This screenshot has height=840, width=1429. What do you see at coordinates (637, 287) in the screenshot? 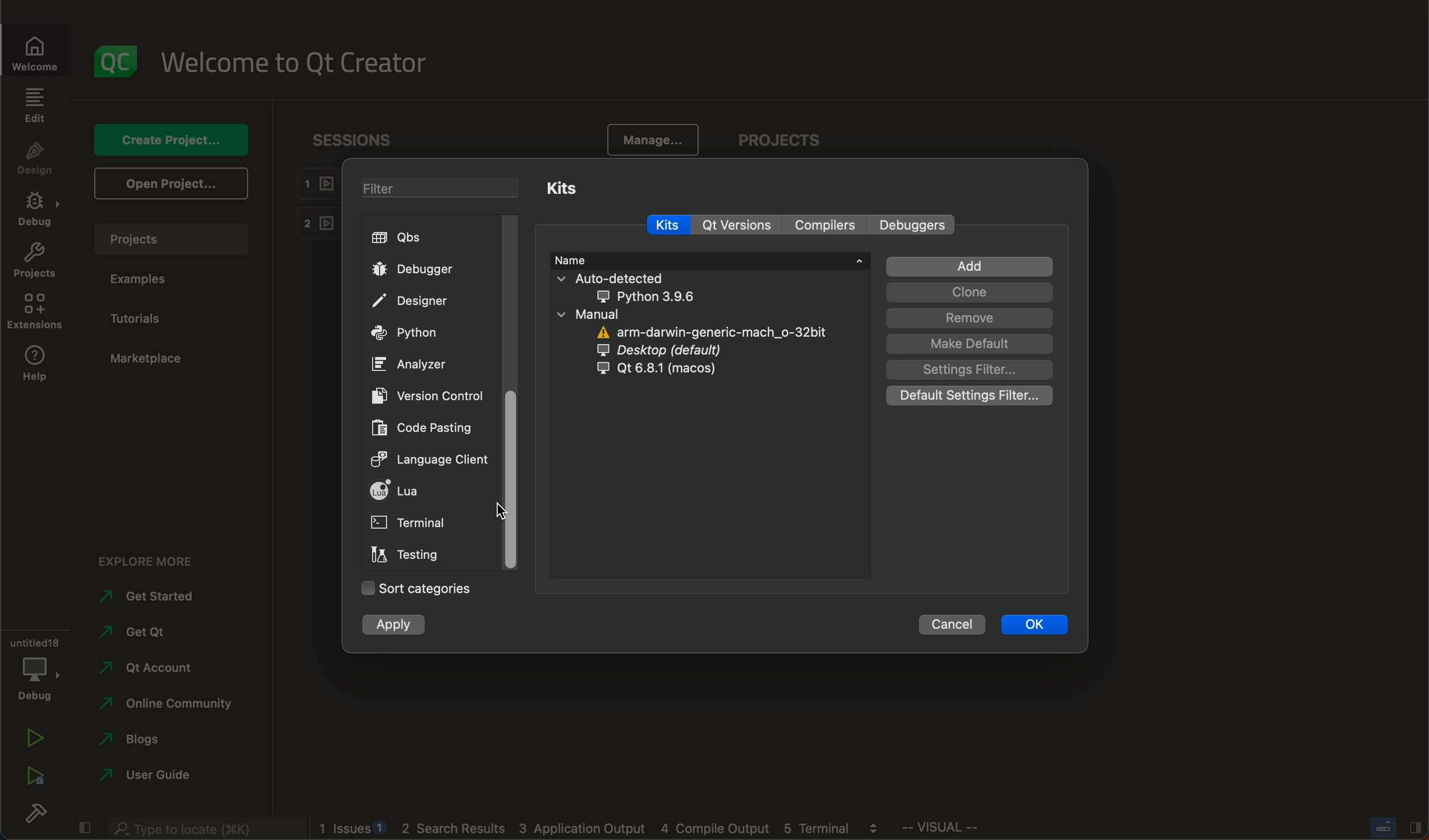
I see `auto detected` at bounding box center [637, 287].